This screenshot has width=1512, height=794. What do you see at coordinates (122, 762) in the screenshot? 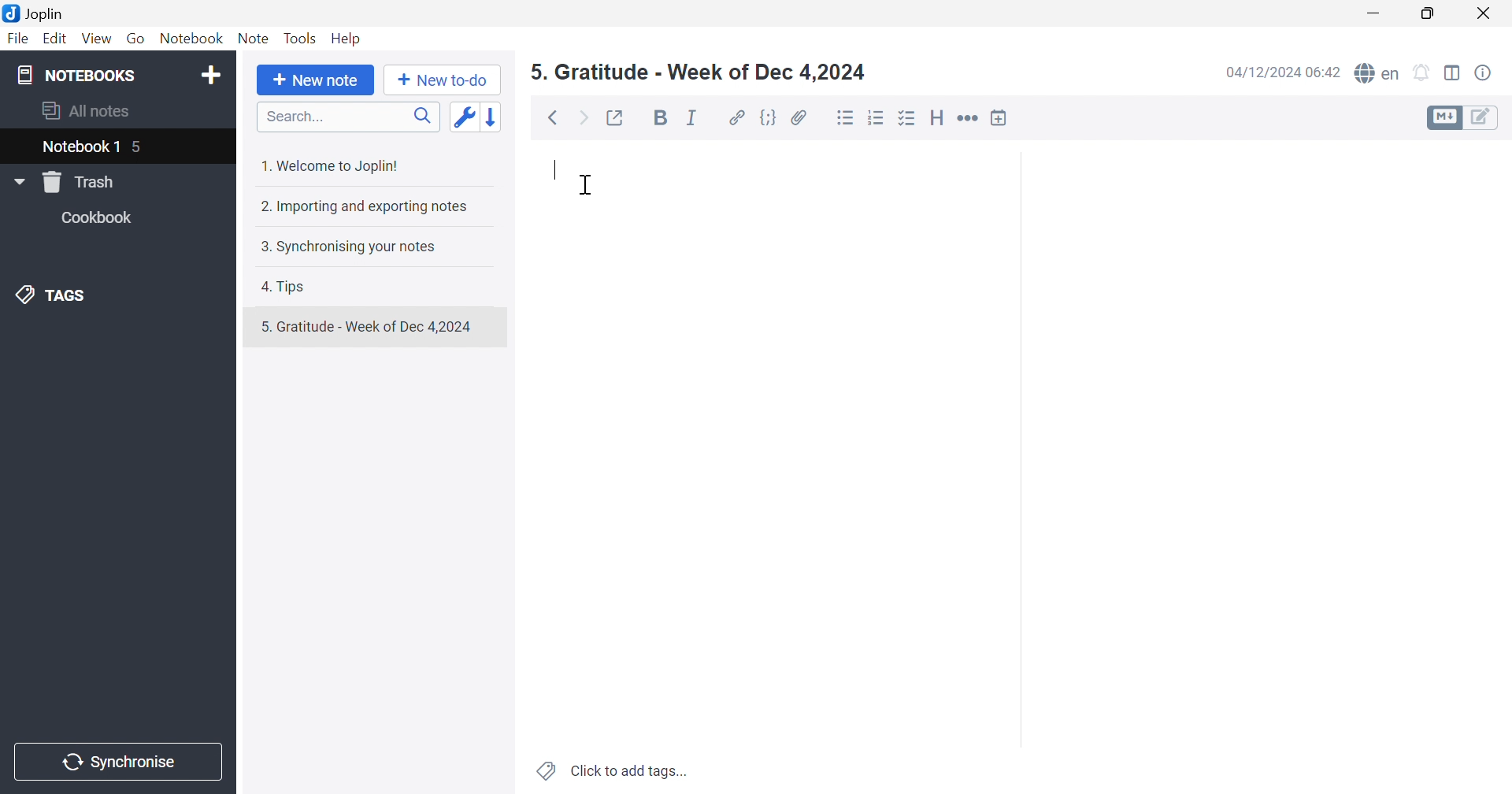
I see `Synchronise` at bounding box center [122, 762].